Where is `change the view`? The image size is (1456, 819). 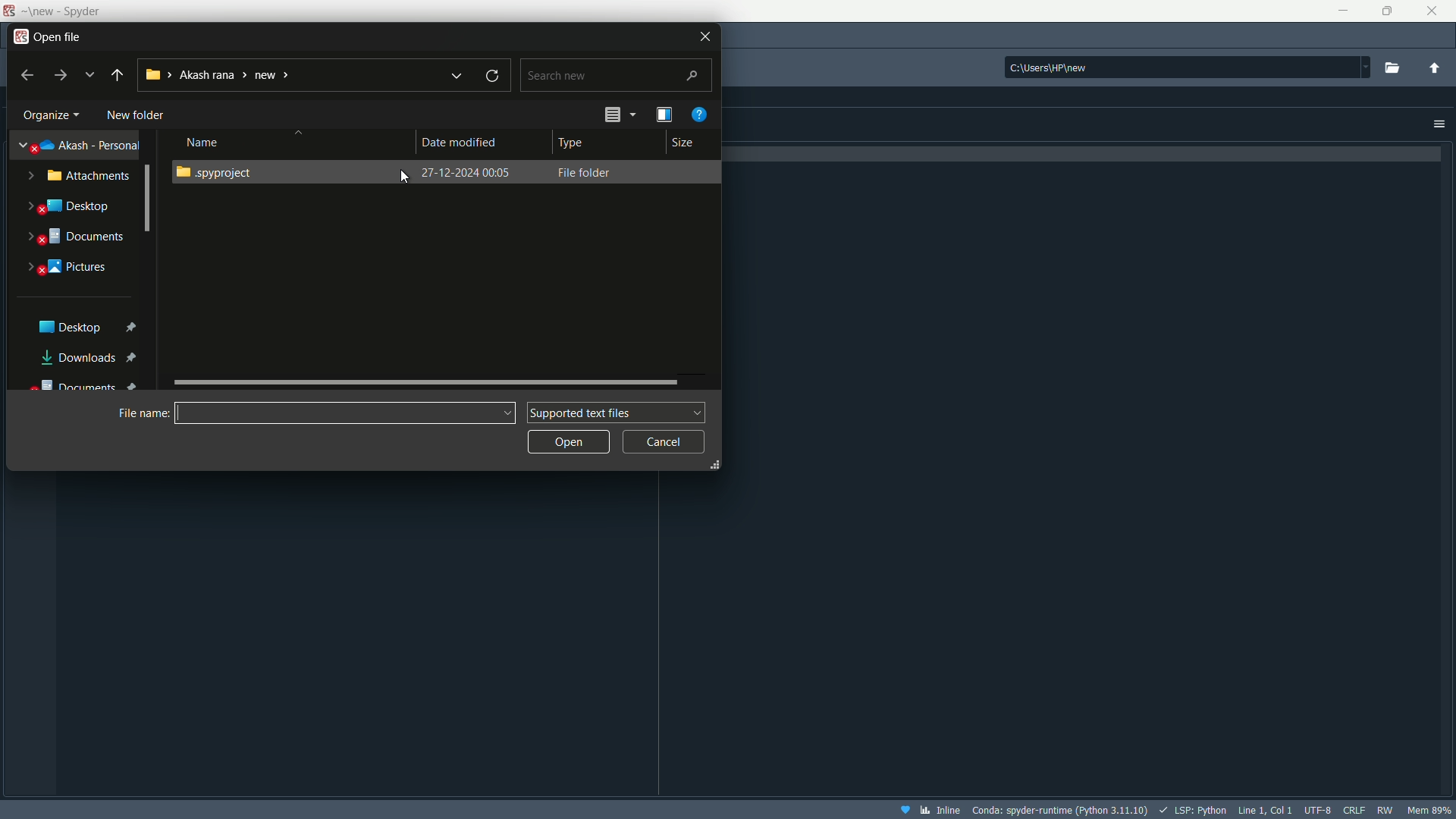 change the view is located at coordinates (619, 115).